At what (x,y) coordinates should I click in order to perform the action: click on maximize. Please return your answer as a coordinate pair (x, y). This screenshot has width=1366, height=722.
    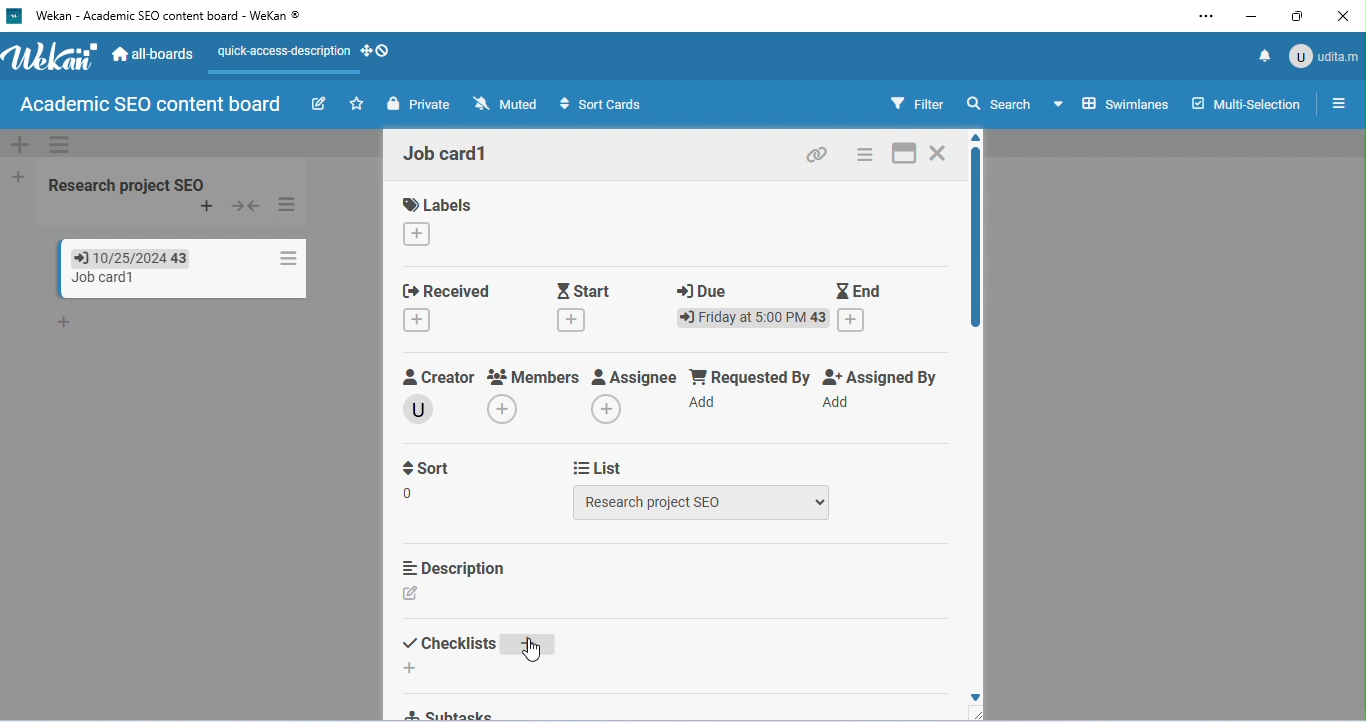
    Looking at the image, I should click on (1297, 16).